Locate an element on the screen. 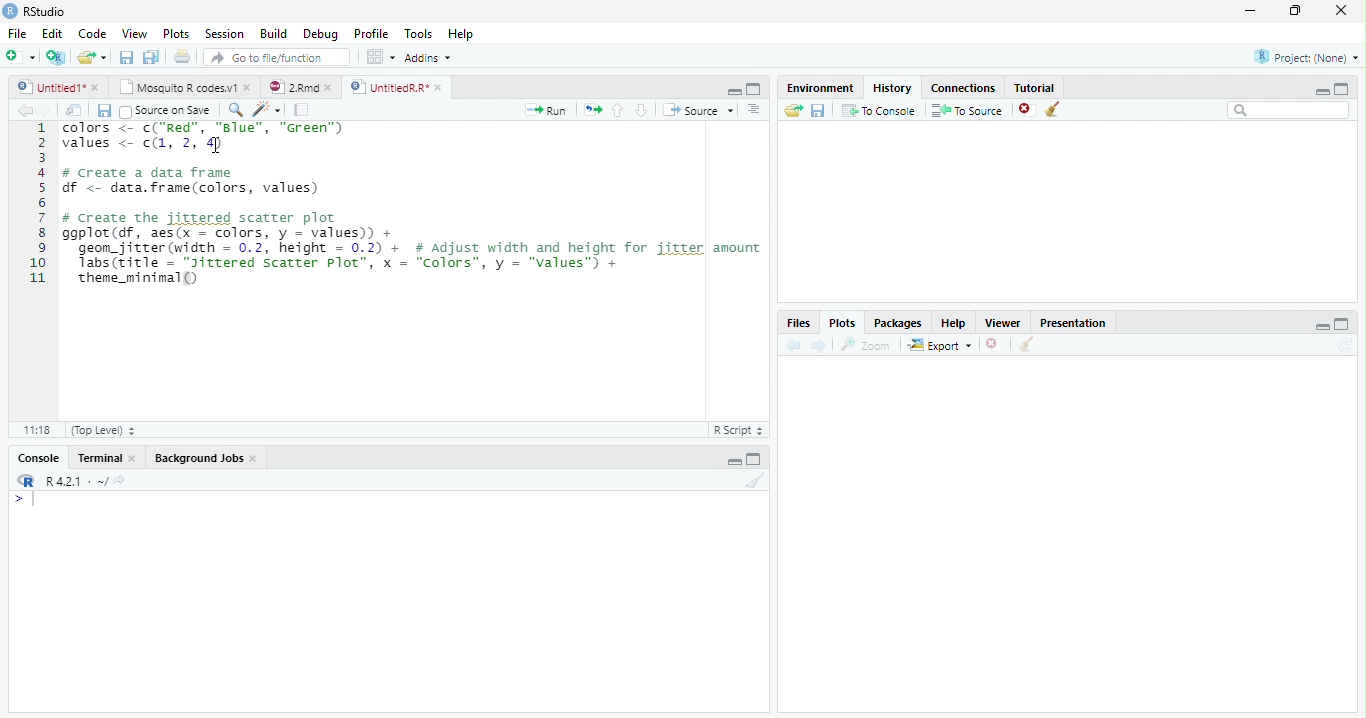  Find/Replace is located at coordinates (236, 109).